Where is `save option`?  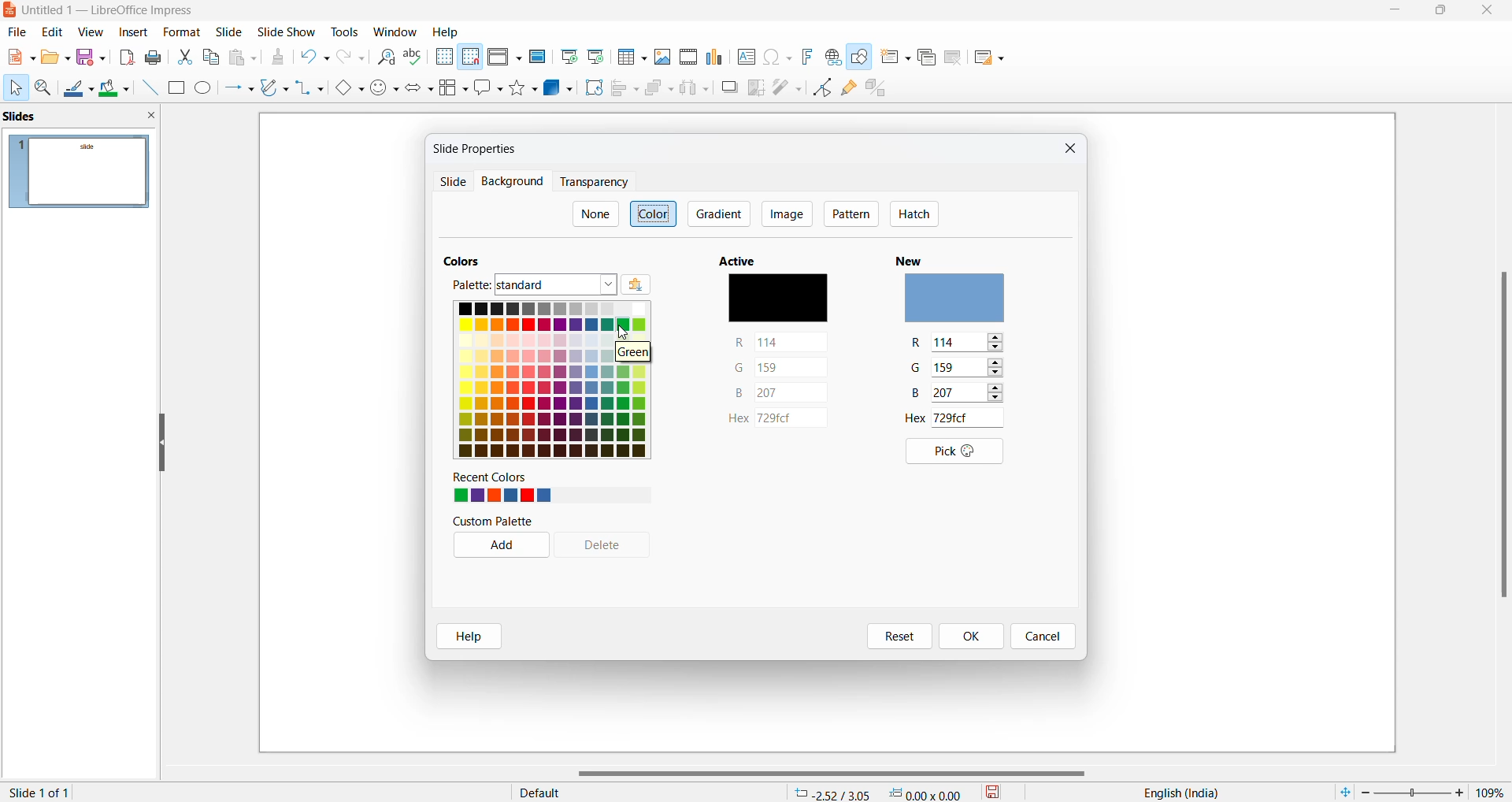 save option is located at coordinates (91, 58).